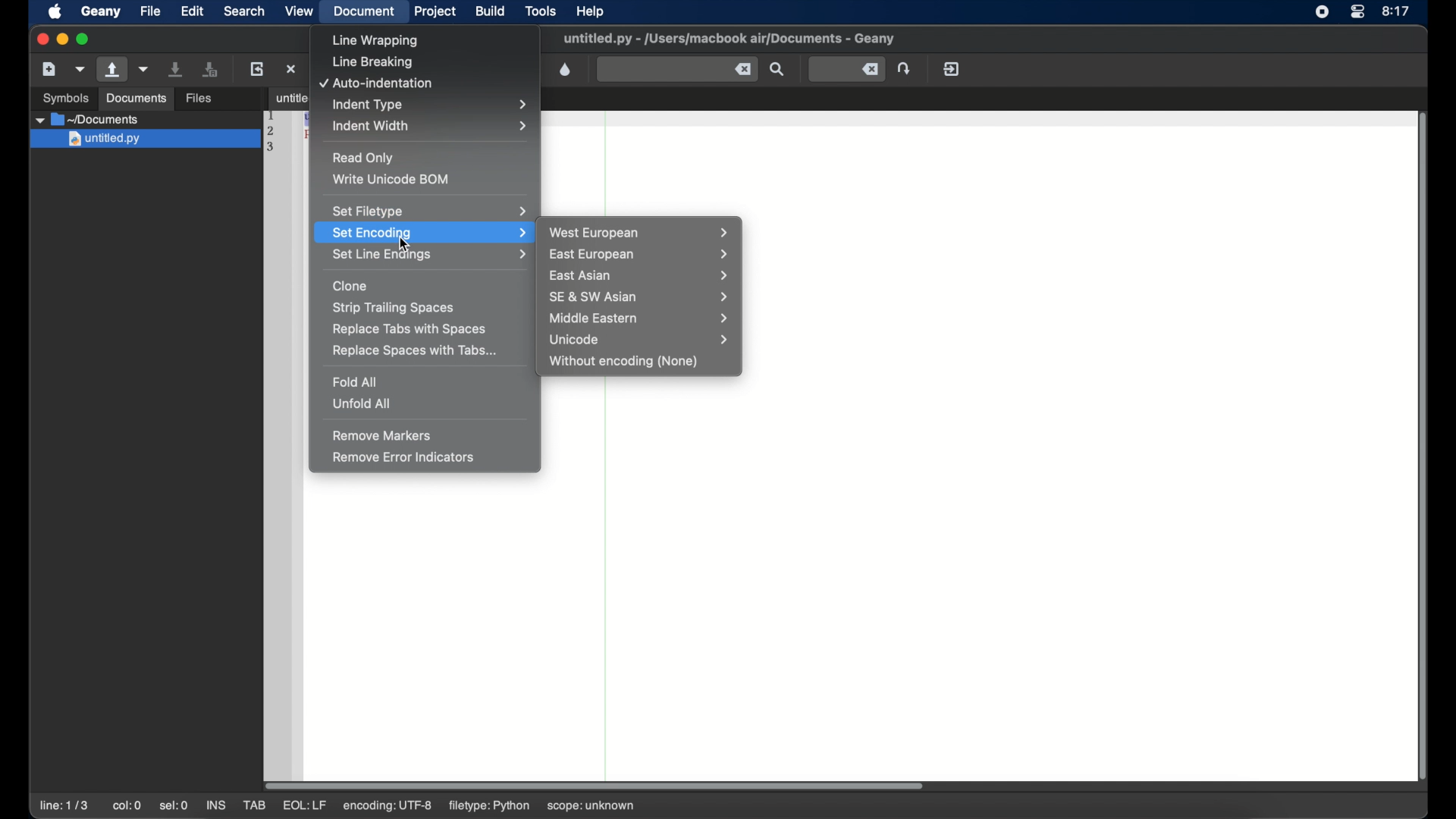 The image size is (1456, 819). Describe the element at coordinates (590, 11) in the screenshot. I see `help` at that location.